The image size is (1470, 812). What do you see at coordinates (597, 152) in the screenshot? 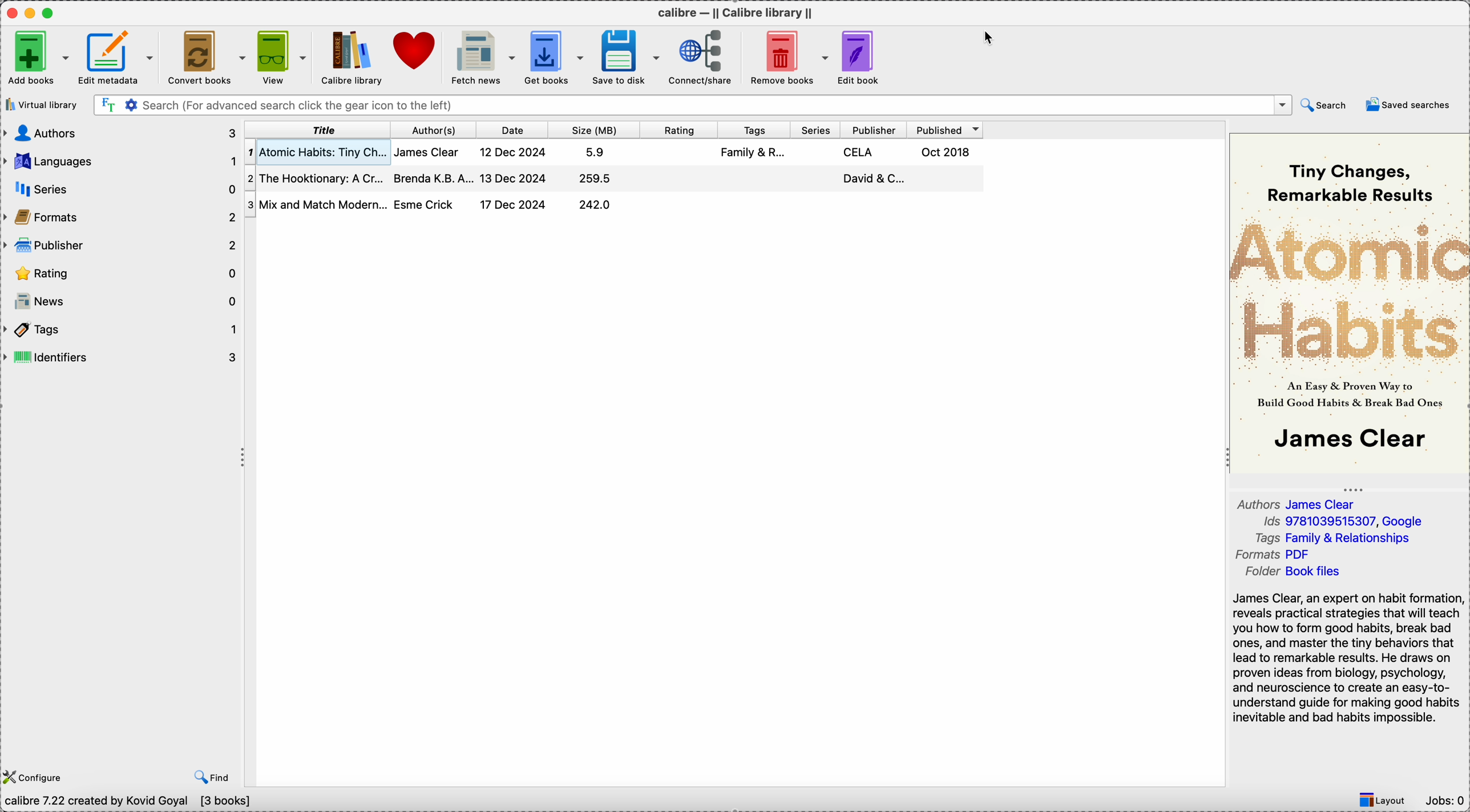
I see `5.9` at bounding box center [597, 152].